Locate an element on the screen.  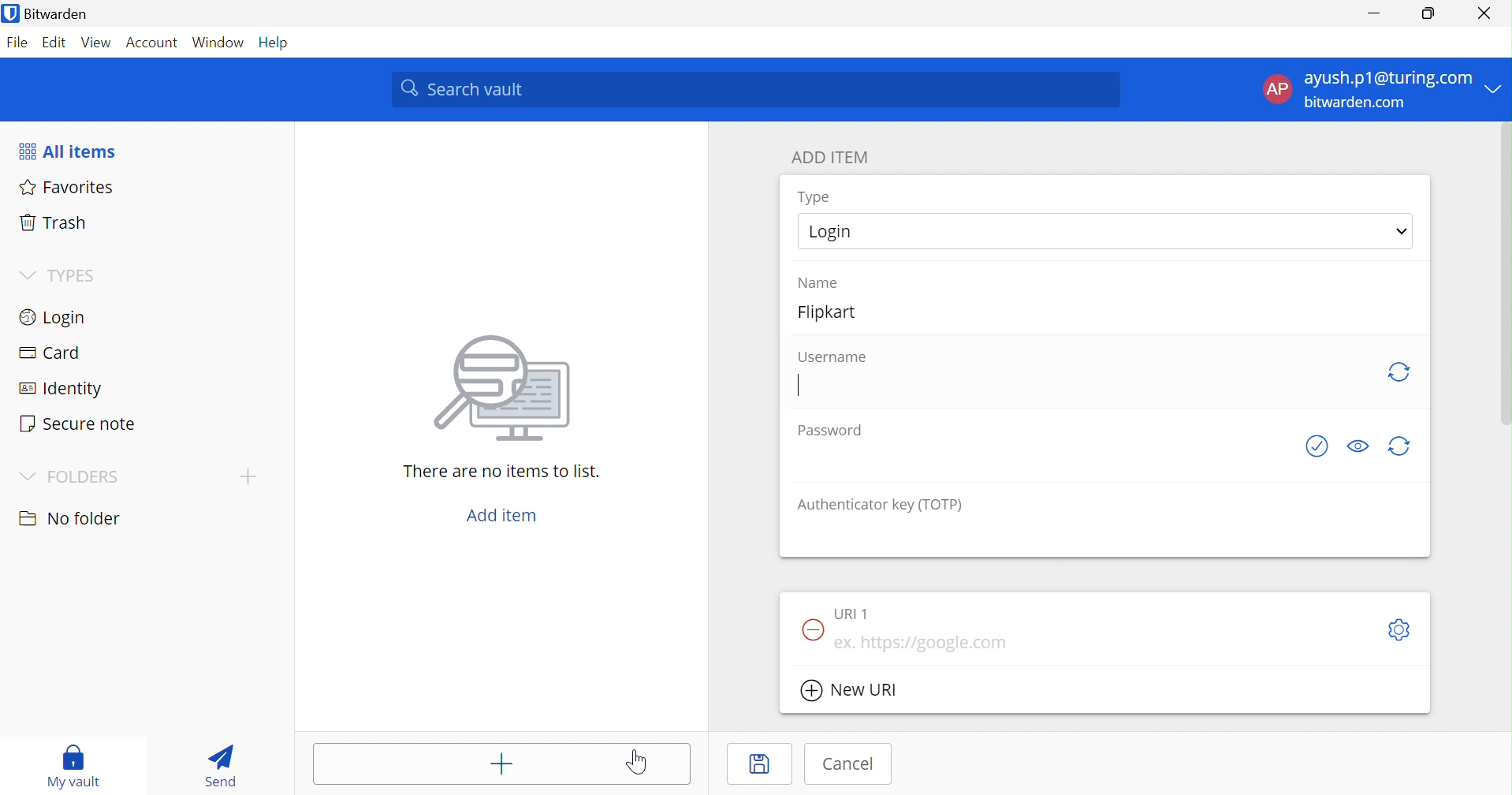
generate password is located at coordinates (1400, 447).